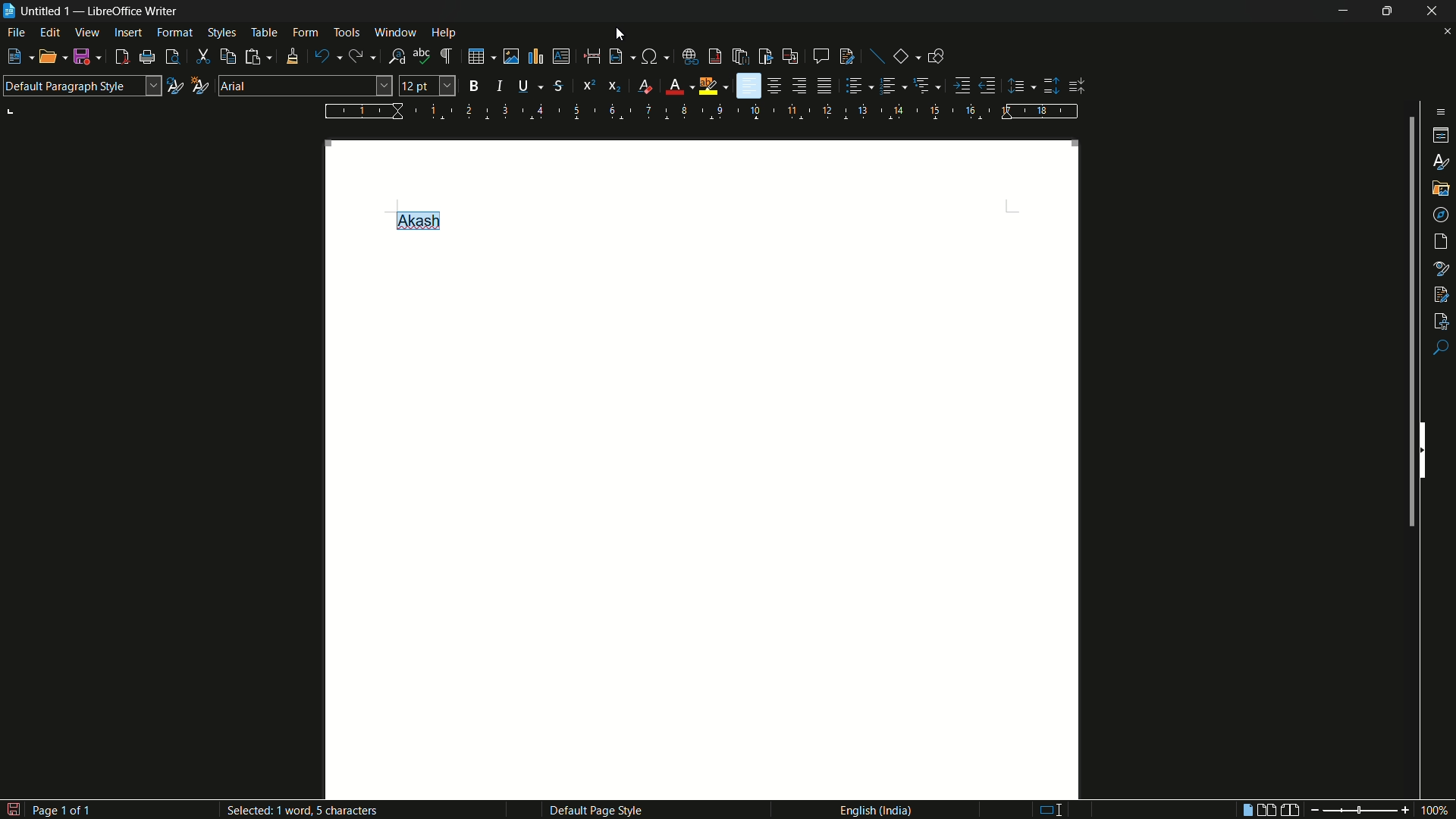  Describe the element at coordinates (52, 33) in the screenshot. I see `edit menu` at that location.